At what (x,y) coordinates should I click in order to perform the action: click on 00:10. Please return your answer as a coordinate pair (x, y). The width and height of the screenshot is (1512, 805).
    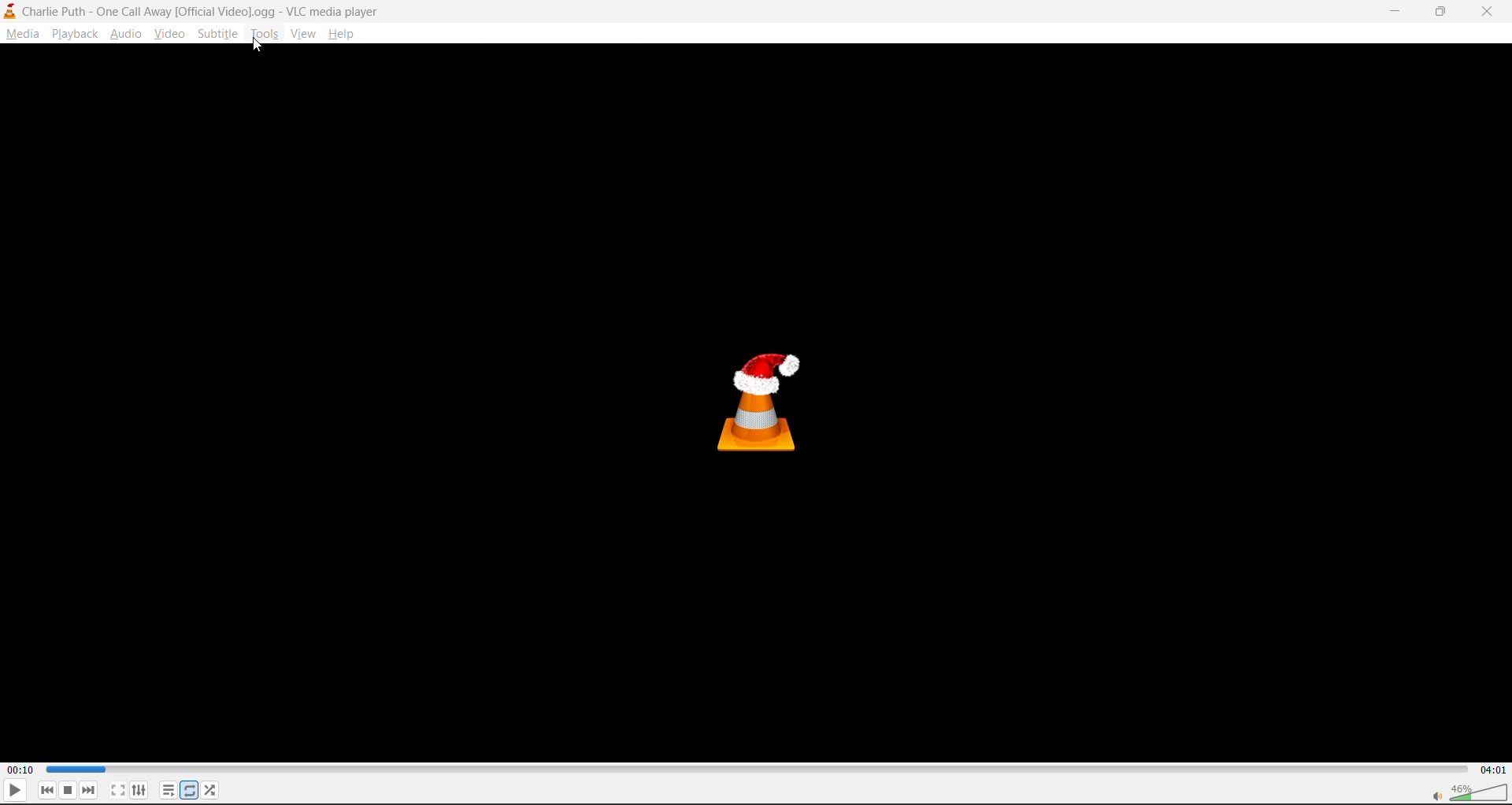
    Looking at the image, I should click on (22, 766).